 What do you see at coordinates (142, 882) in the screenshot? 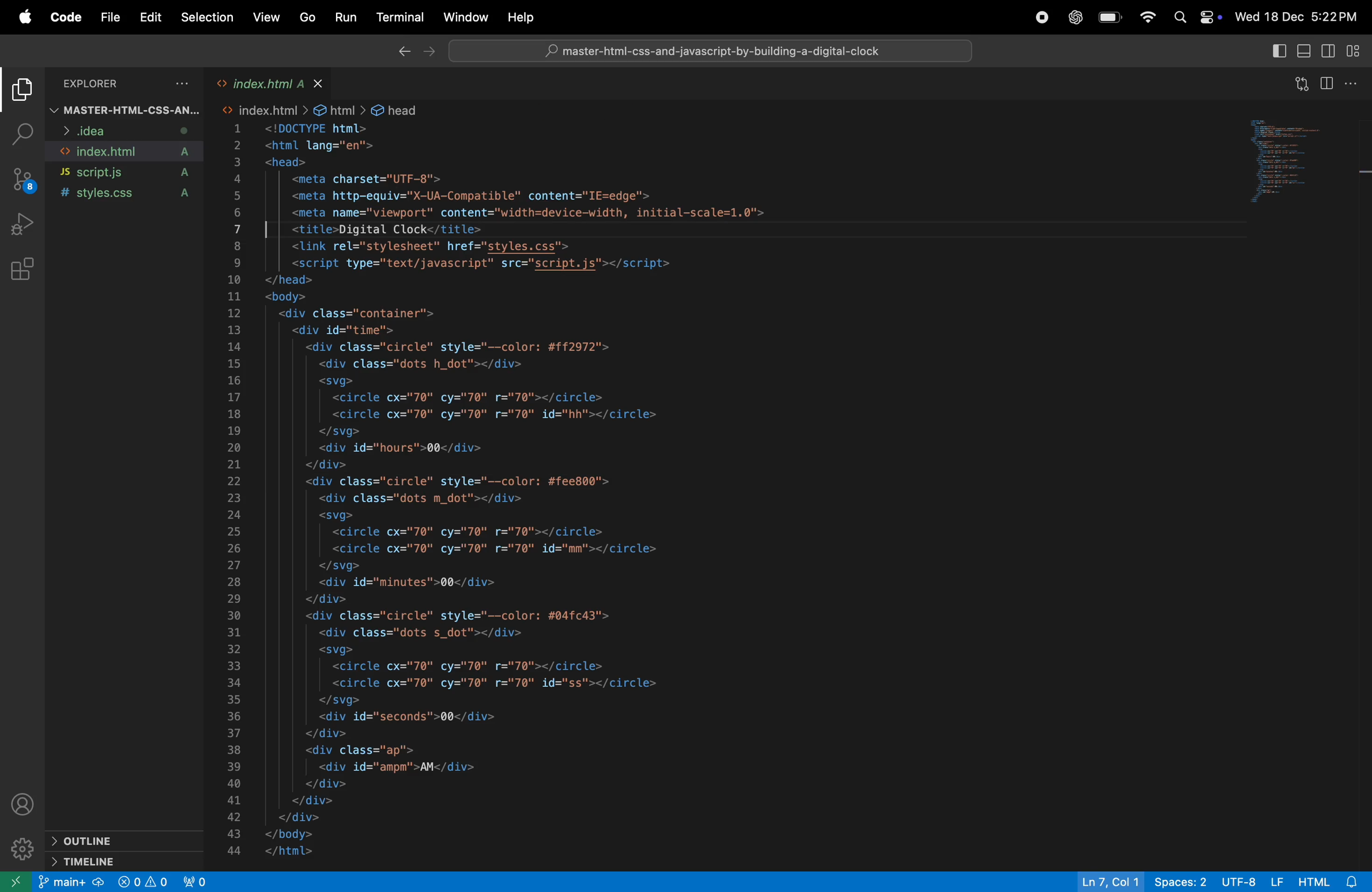
I see `no problem` at bounding box center [142, 882].